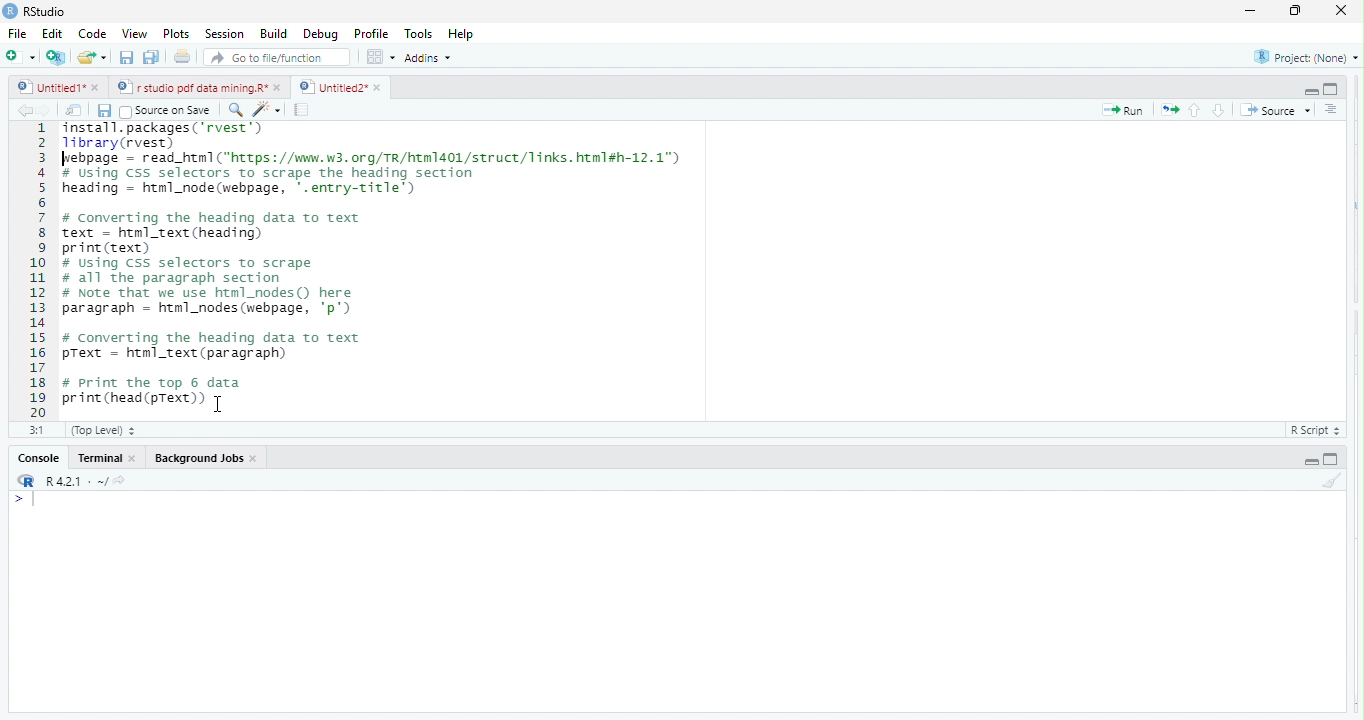 This screenshot has height=720, width=1364. What do you see at coordinates (194, 88) in the screenshot?
I see `© | r studio pdf data mining.R` at bounding box center [194, 88].